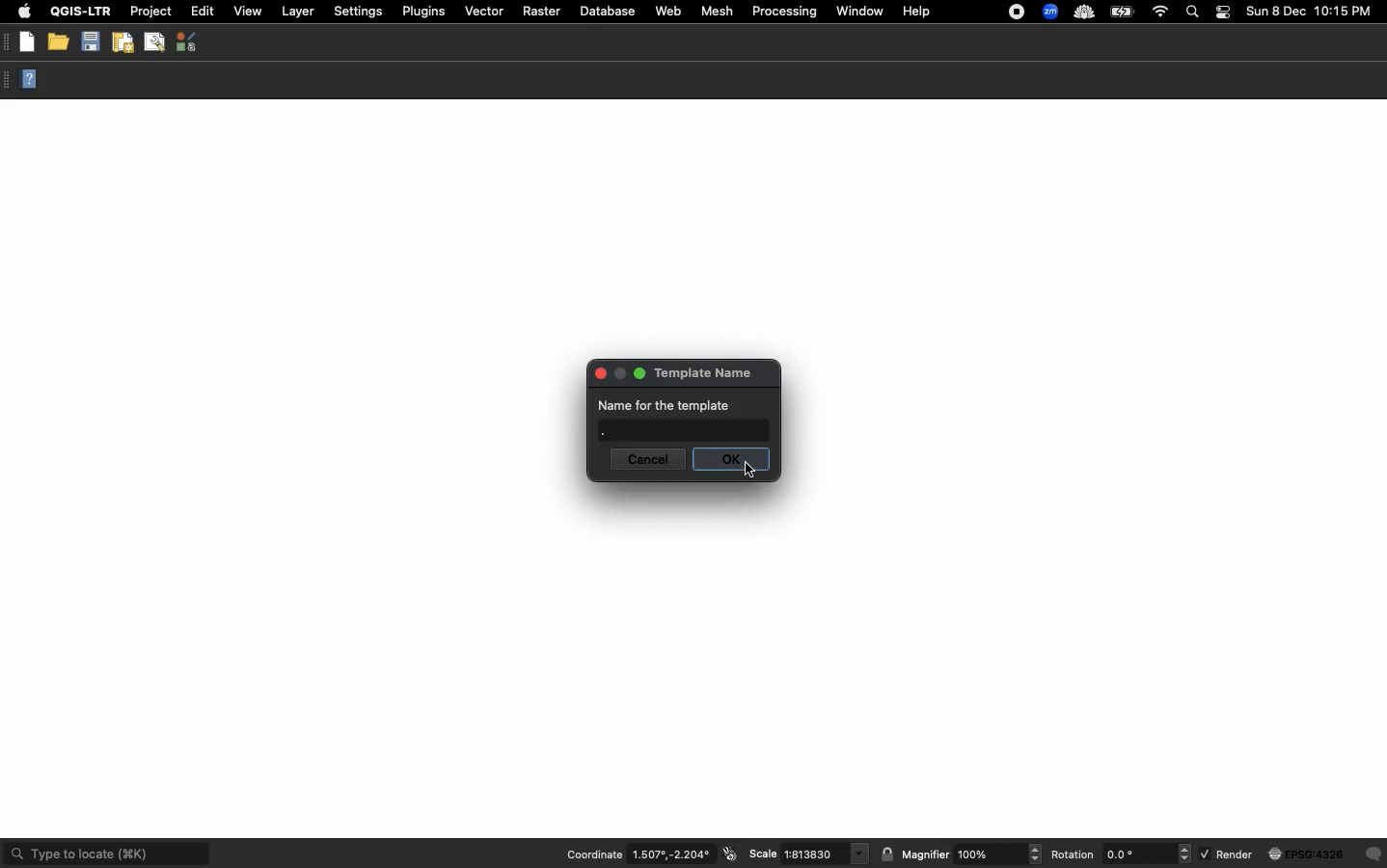  I want to click on Search, so click(1194, 13).